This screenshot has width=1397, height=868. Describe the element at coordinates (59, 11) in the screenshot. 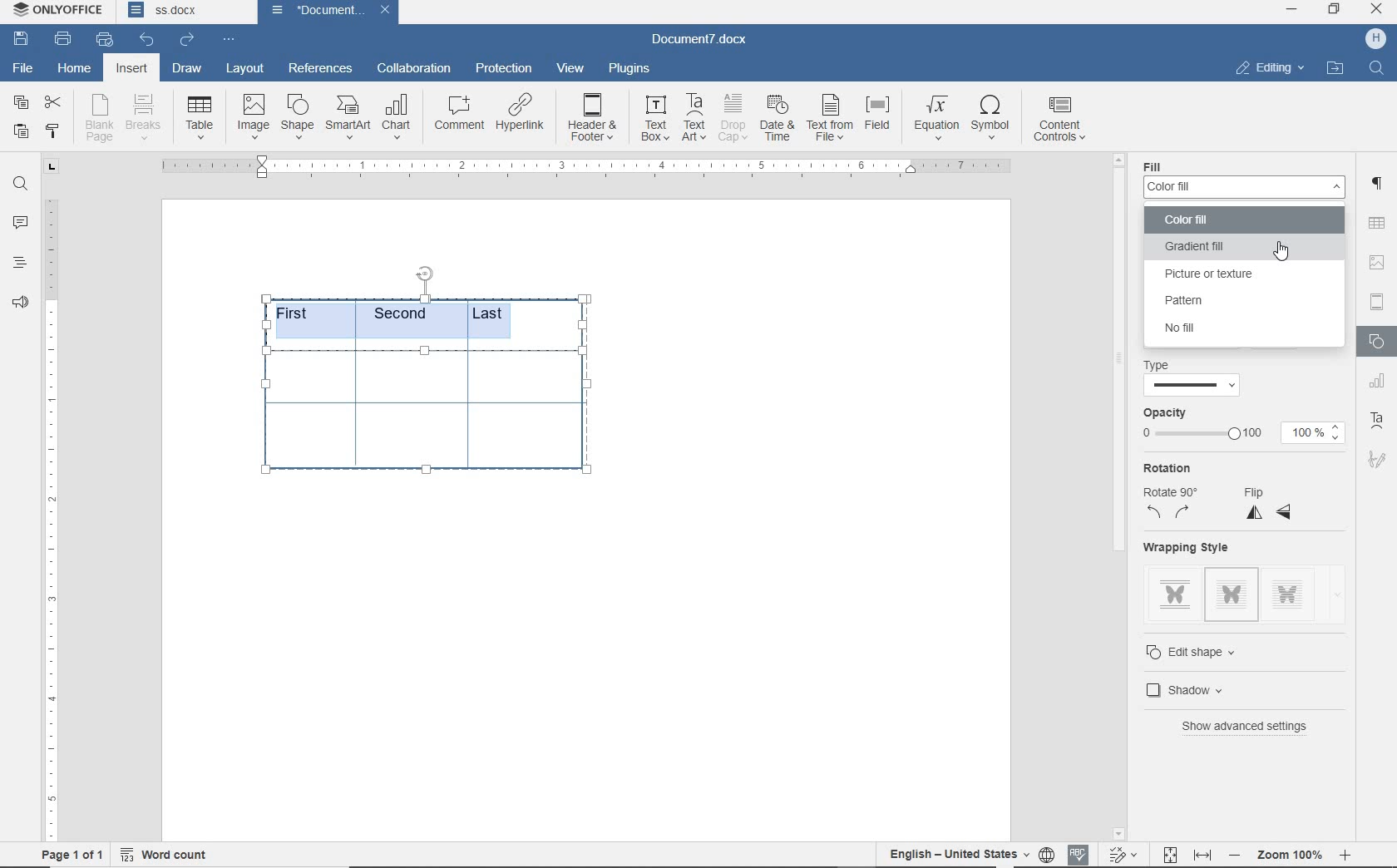

I see `system name` at that location.